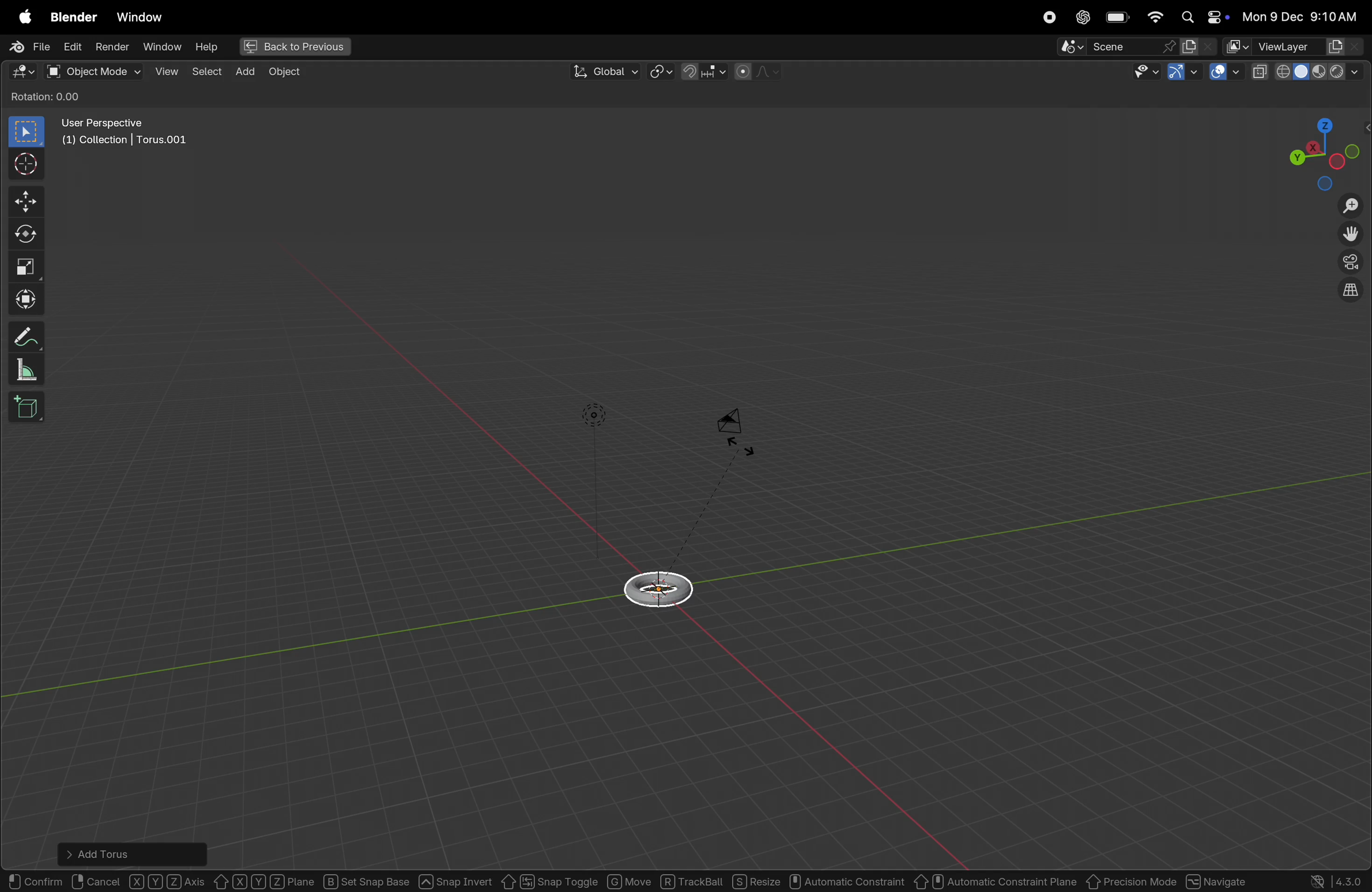  What do you see at coordinates (161, 47) in the screenshot?
I see `window` at bounding box center [161, 47].